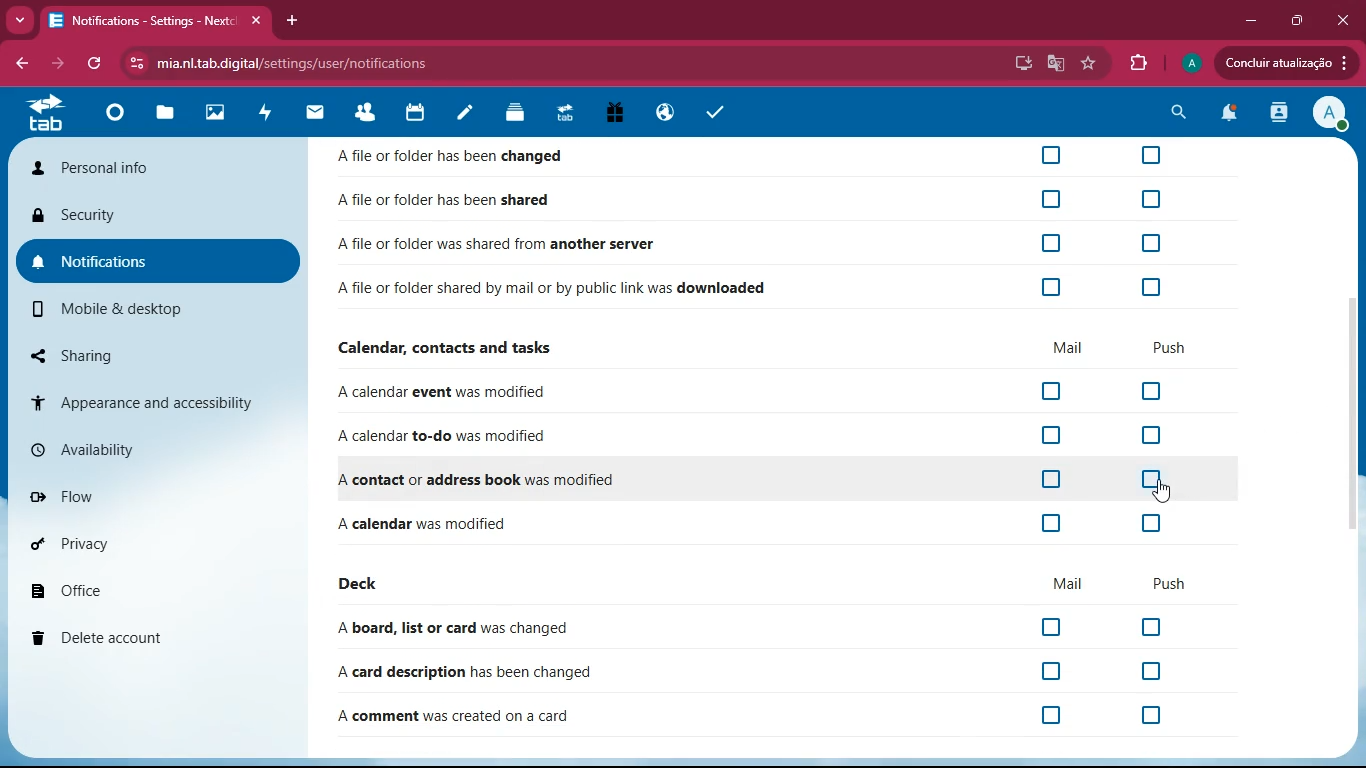 This screenshot has height=768, width=1366. Describe the element at coordinates (371, 113) in the screenshot. I see `friends` at that location.